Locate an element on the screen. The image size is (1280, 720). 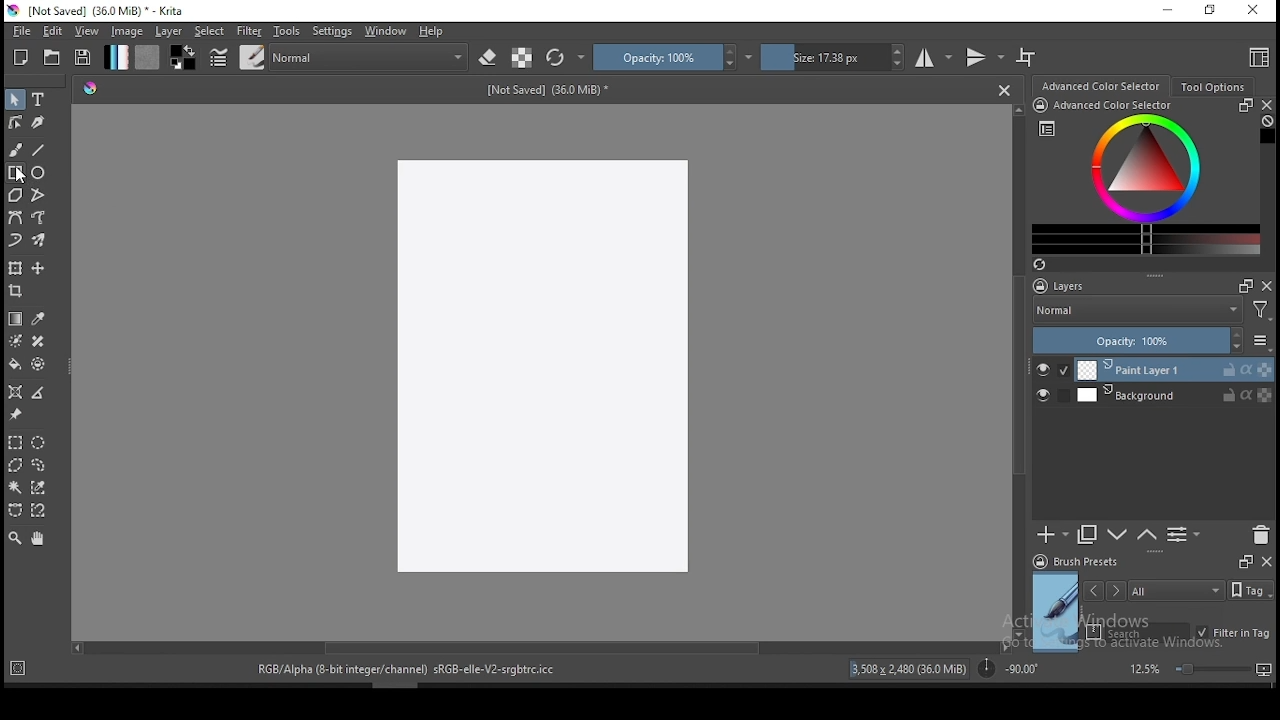
layer is located at coordinates (1175, 370).